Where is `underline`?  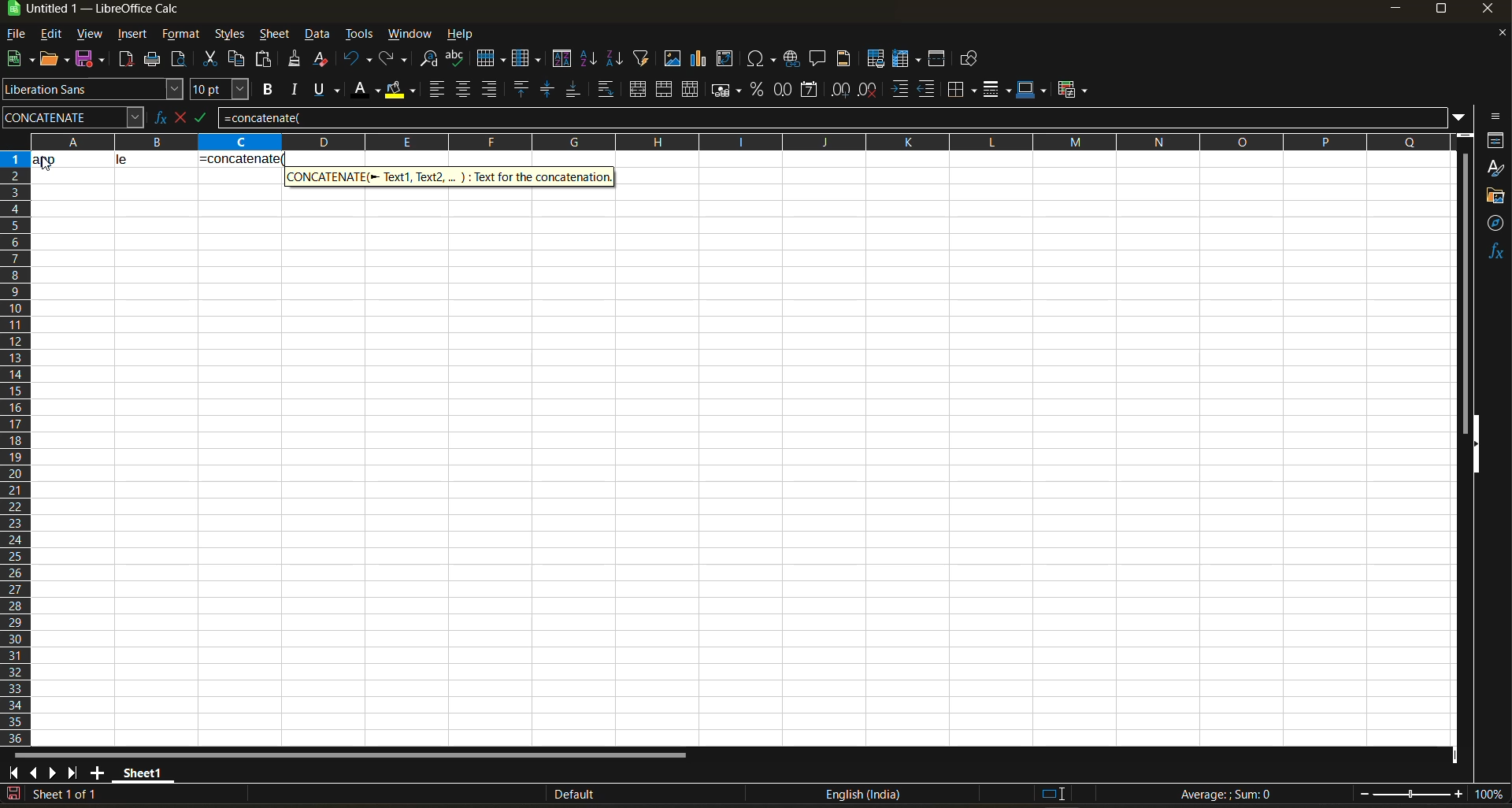 underline is located at coordinates (331, 89).